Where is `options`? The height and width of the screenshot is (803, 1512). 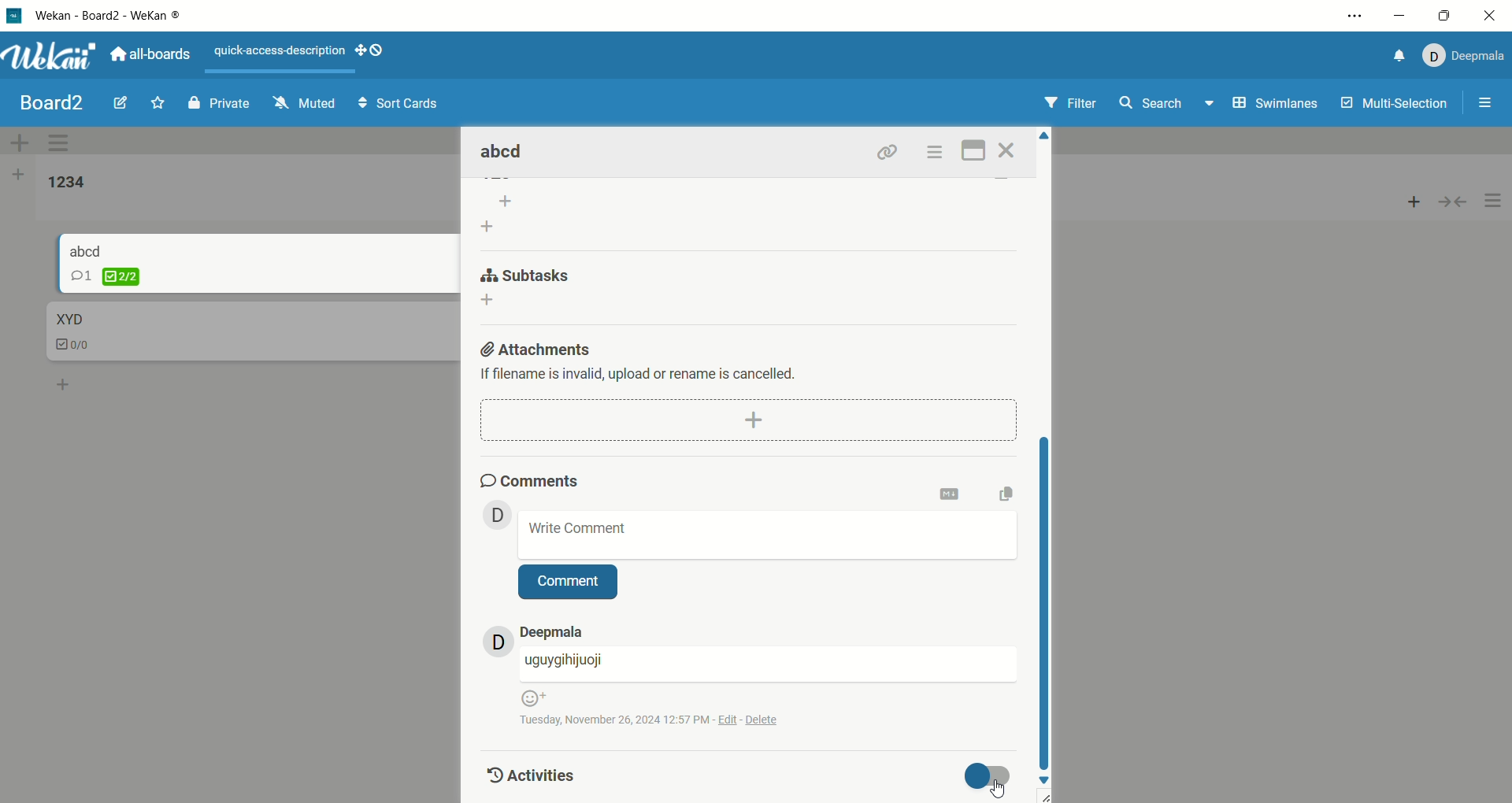
options is located at coordinates (1487, 105).